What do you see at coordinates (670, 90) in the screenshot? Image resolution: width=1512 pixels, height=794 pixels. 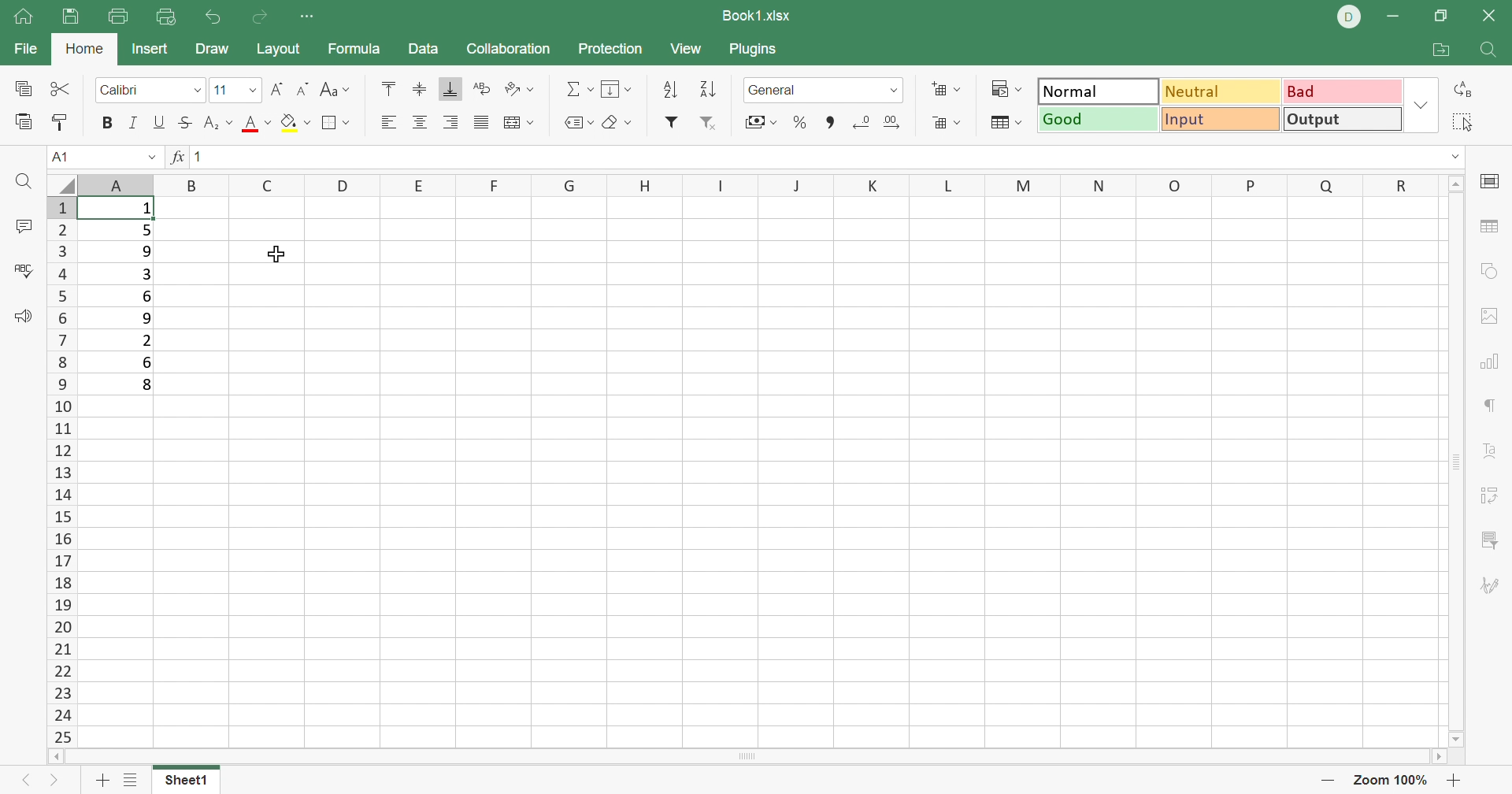 I see `Ascending order` at bounding box center [670, 90].